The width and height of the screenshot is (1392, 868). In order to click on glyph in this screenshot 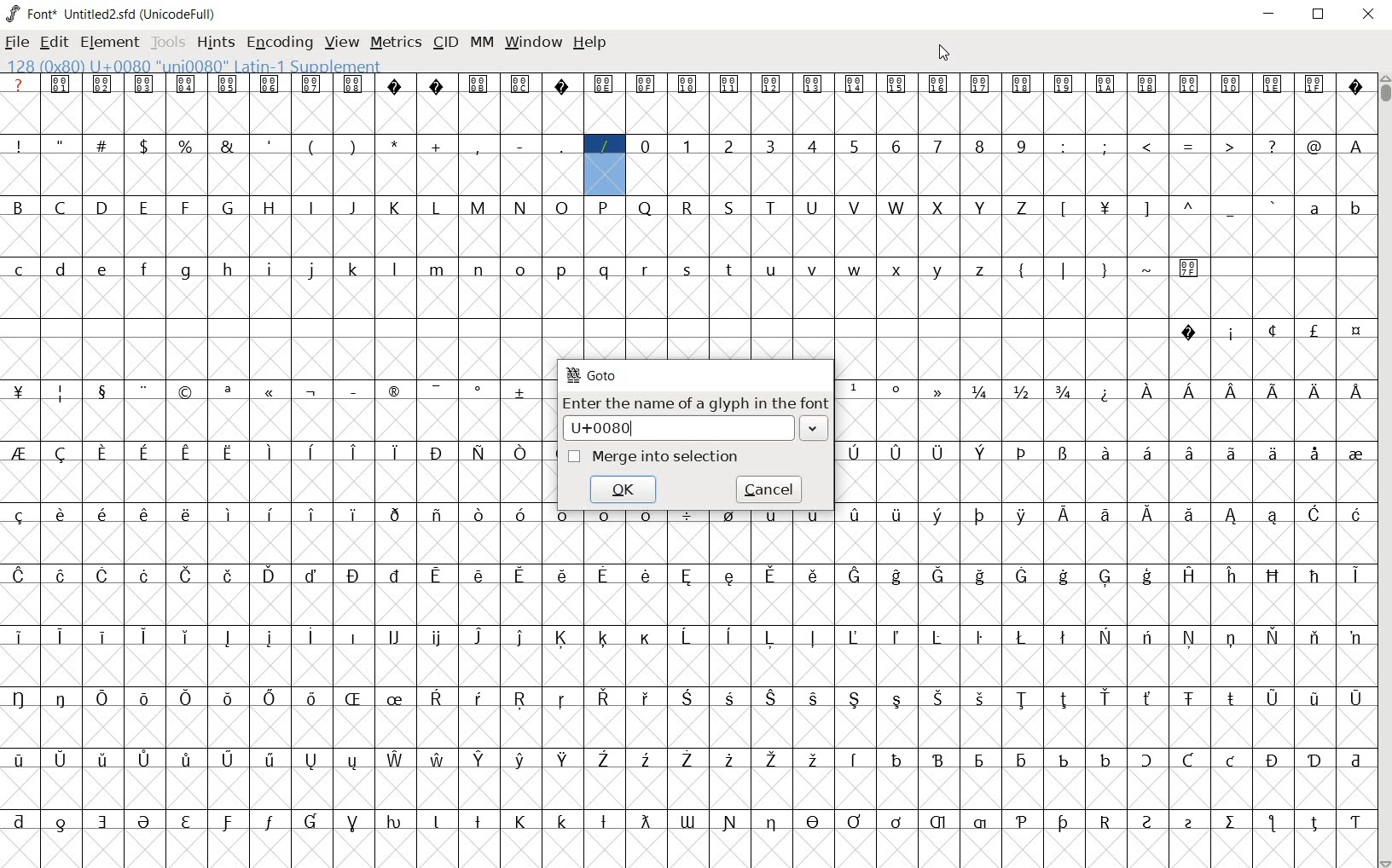, I will do `click(1022, 84)`.